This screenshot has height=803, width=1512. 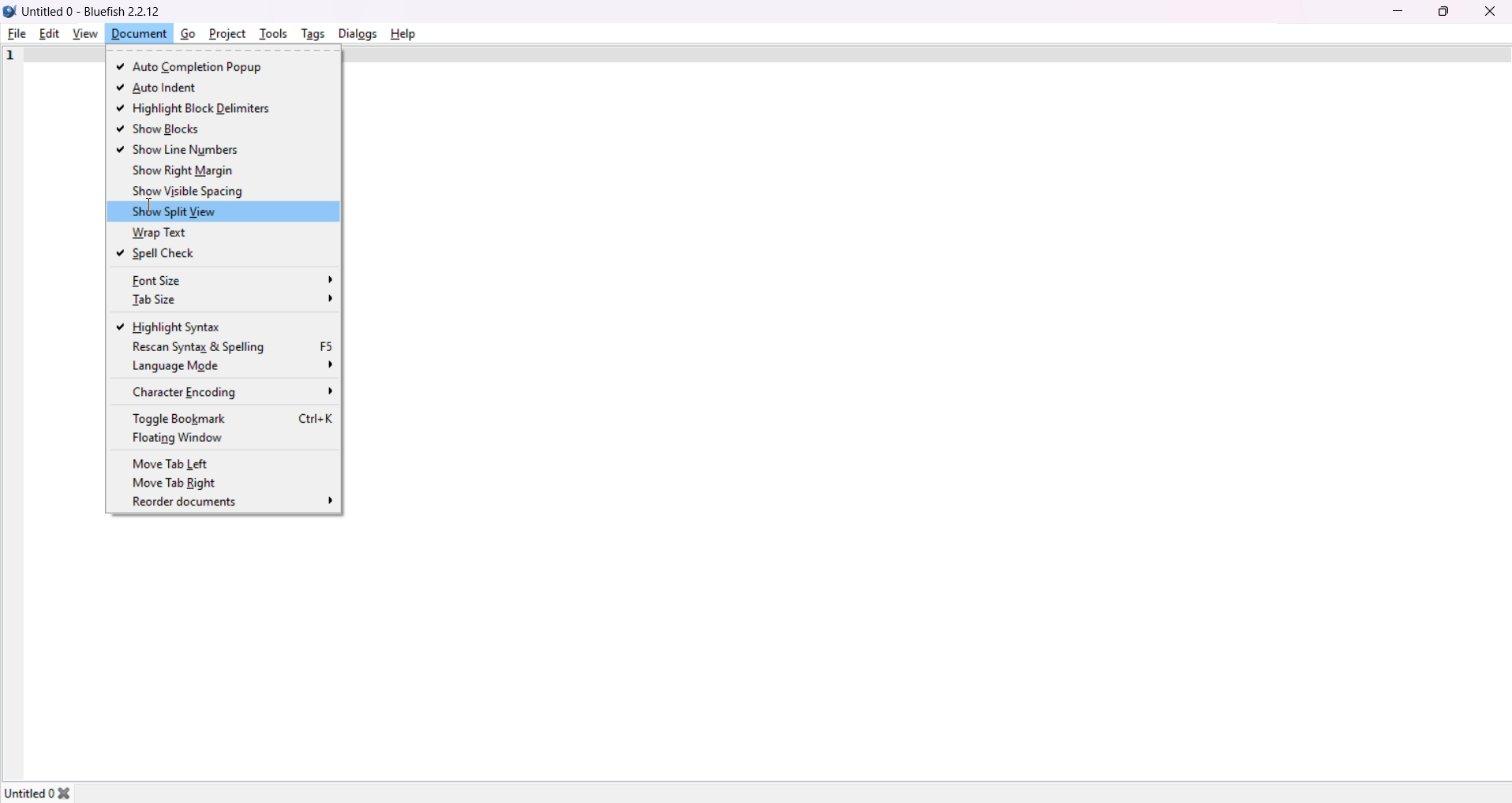 I want to click on spell check, so click(x=159, y=253).